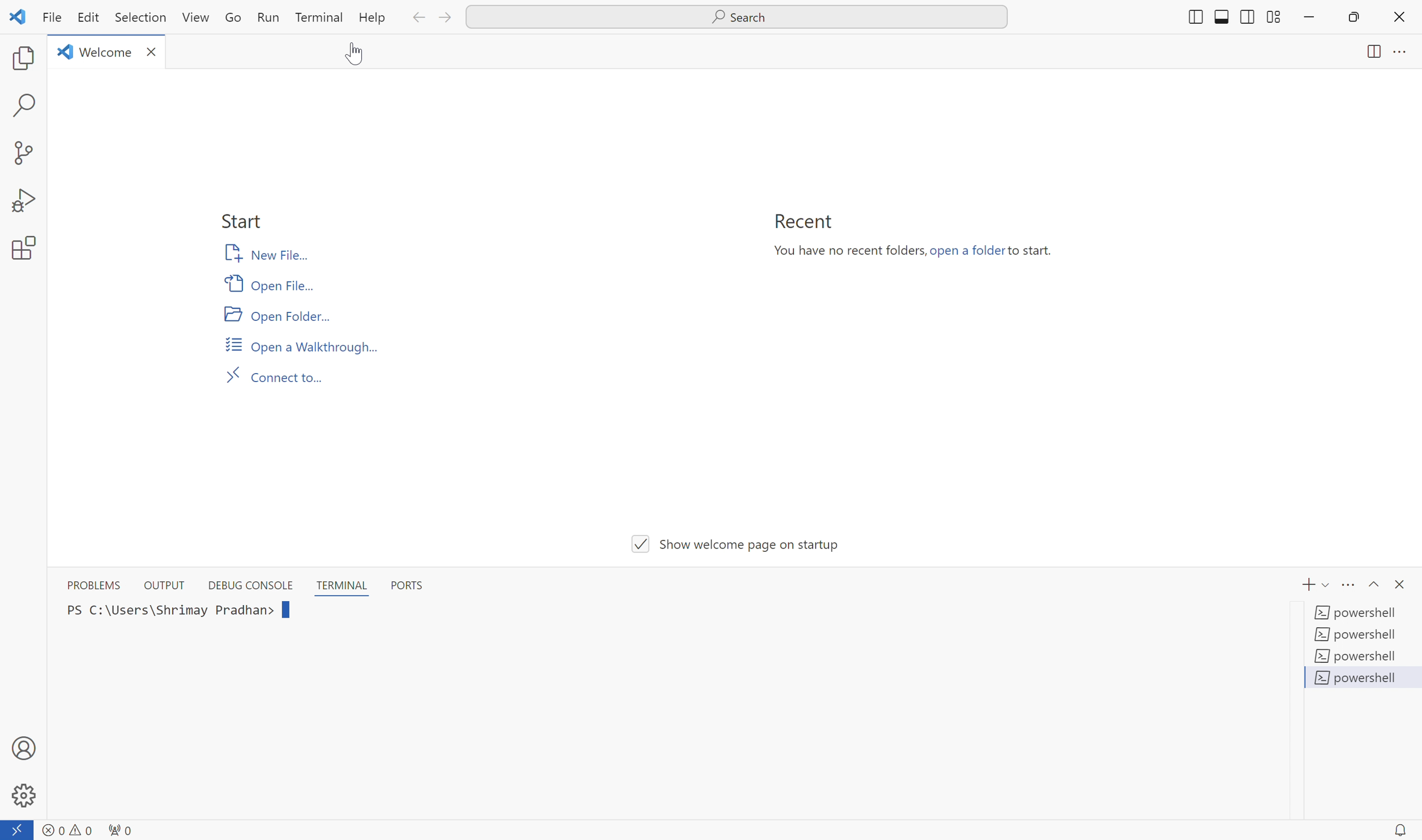  I want to click on Open File..., so click(270, 286).